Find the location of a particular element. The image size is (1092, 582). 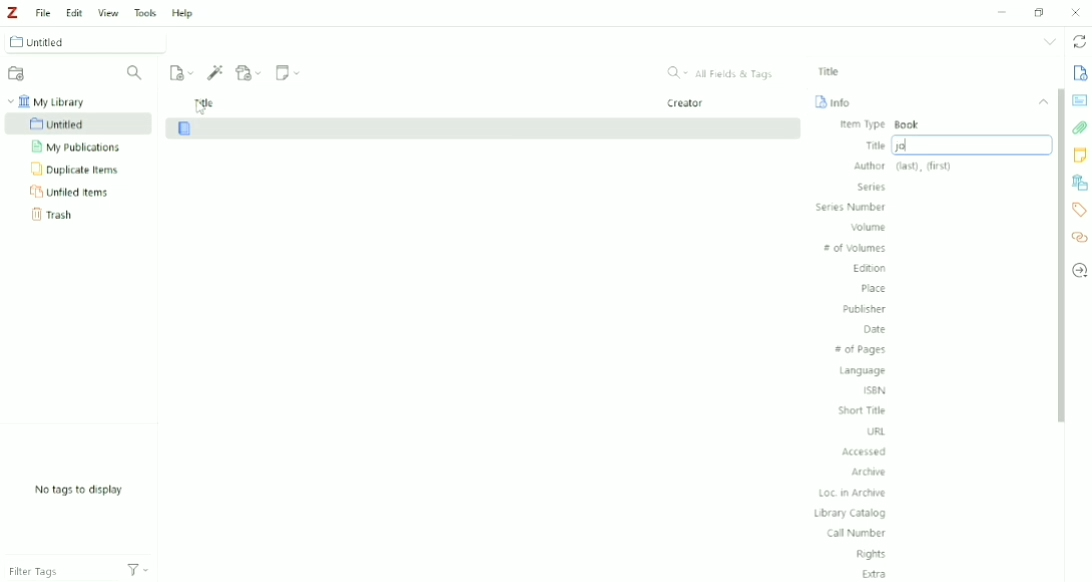

Minimize is located at coordinates (1003, 13).